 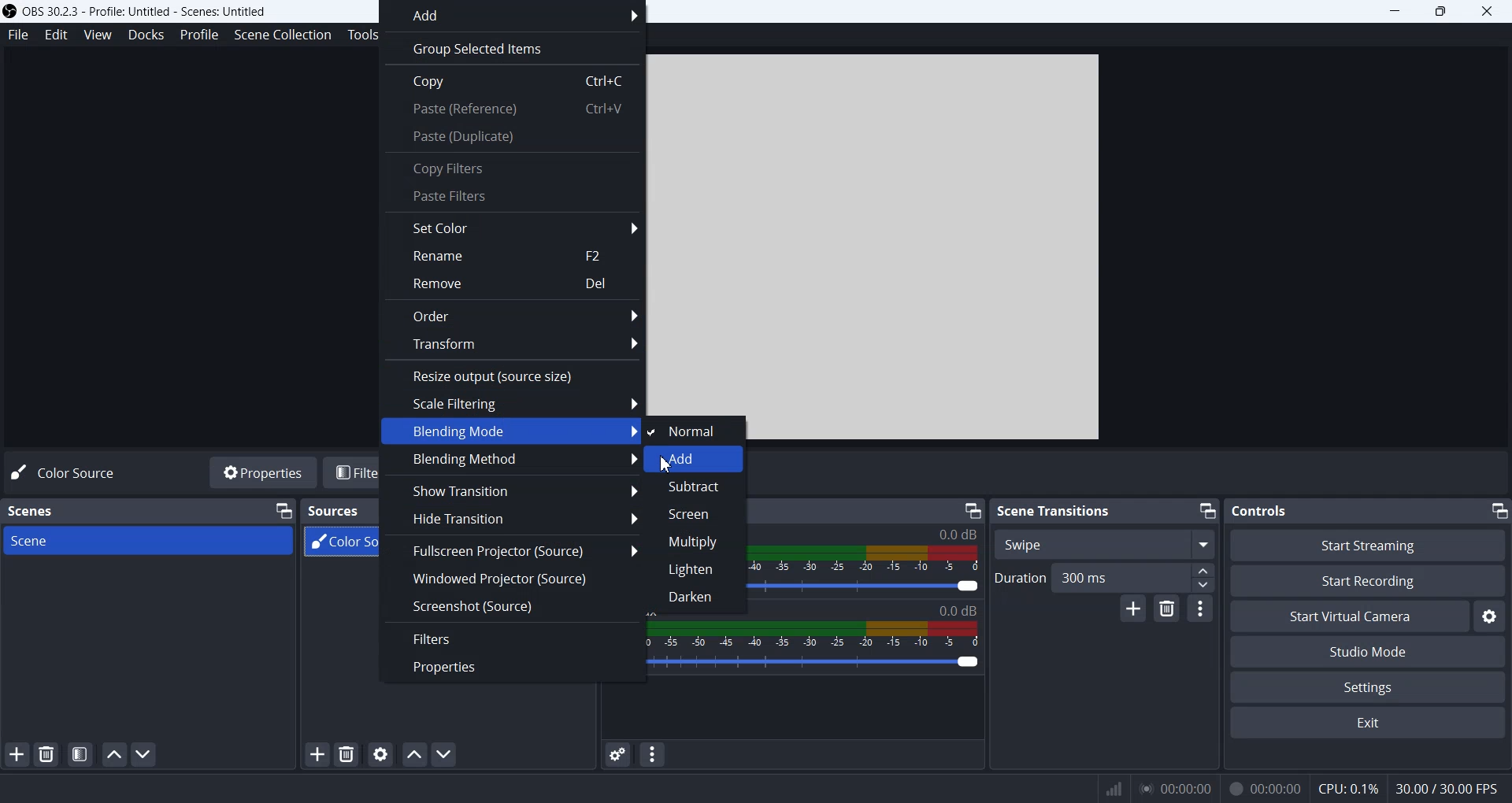 I want to click on Rename, so click(x=513, y=257).